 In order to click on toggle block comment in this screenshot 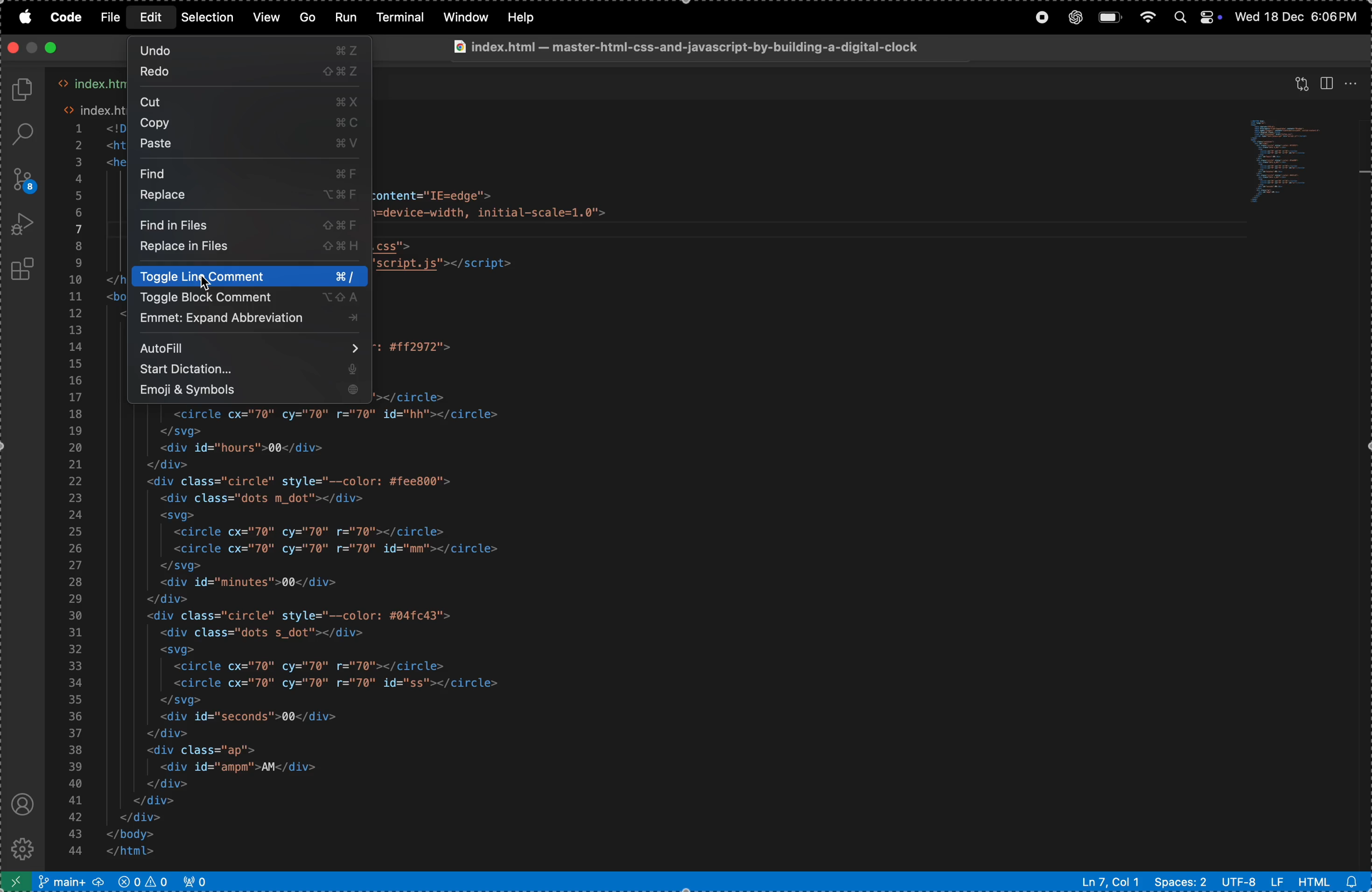, I will do `click(244, 298)`.